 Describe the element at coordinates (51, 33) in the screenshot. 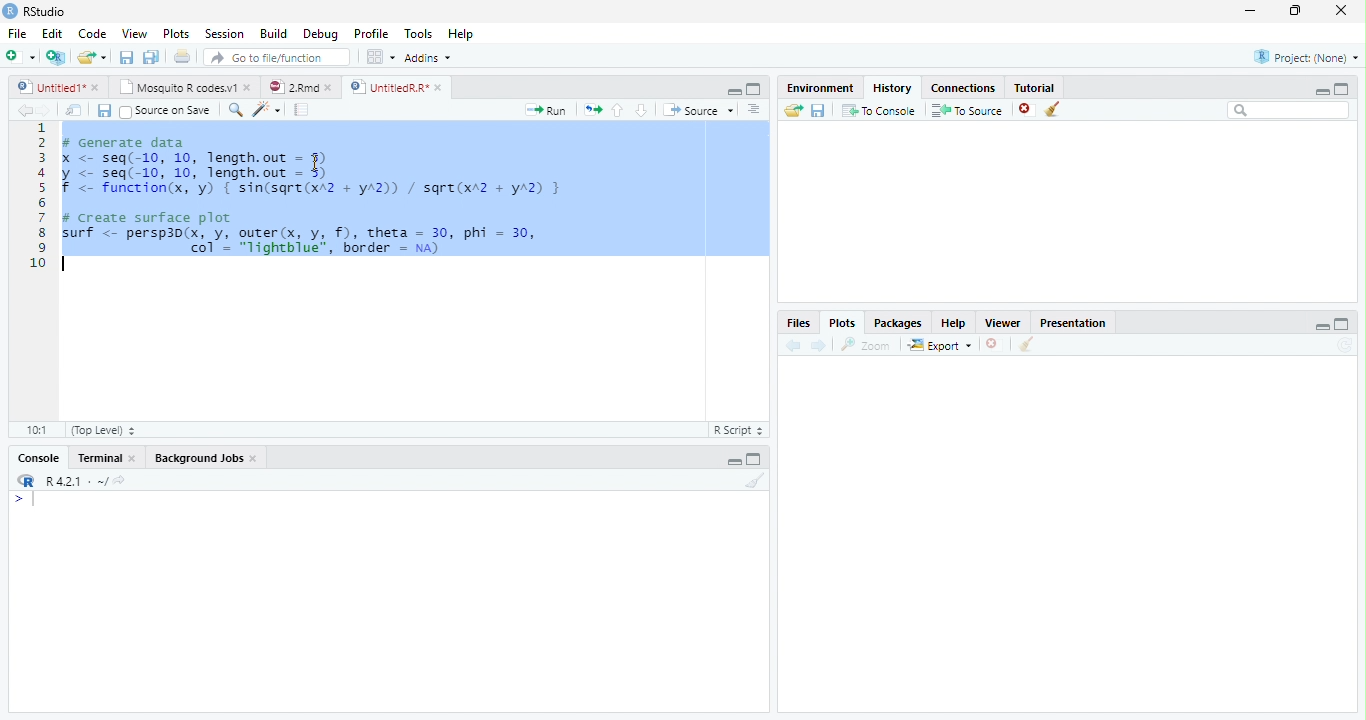

I see `Edit` at that location.